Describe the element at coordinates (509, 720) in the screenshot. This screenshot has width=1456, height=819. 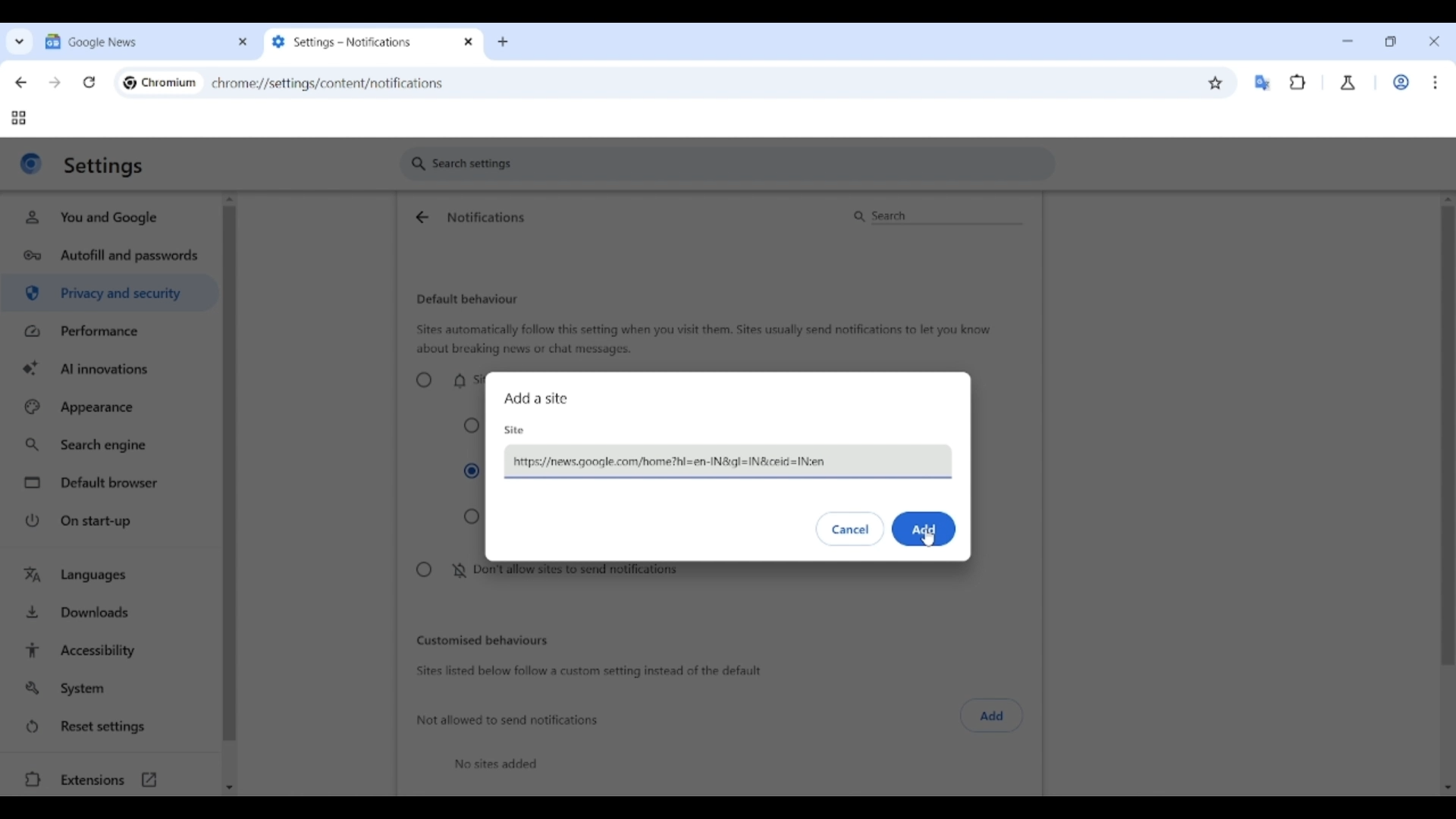
I see `Not allowed to send notifications` at that location.